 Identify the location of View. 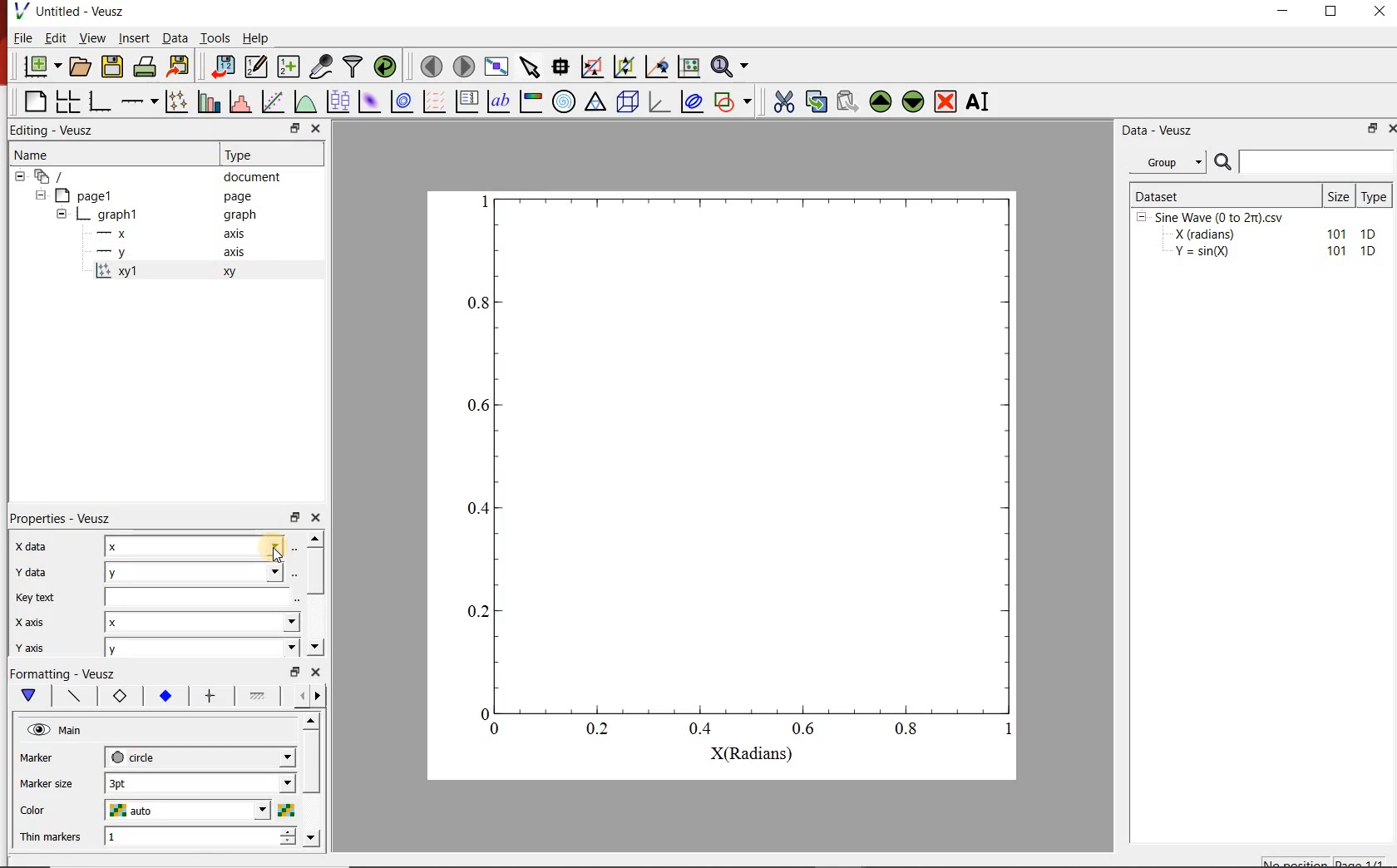
(93, 37).